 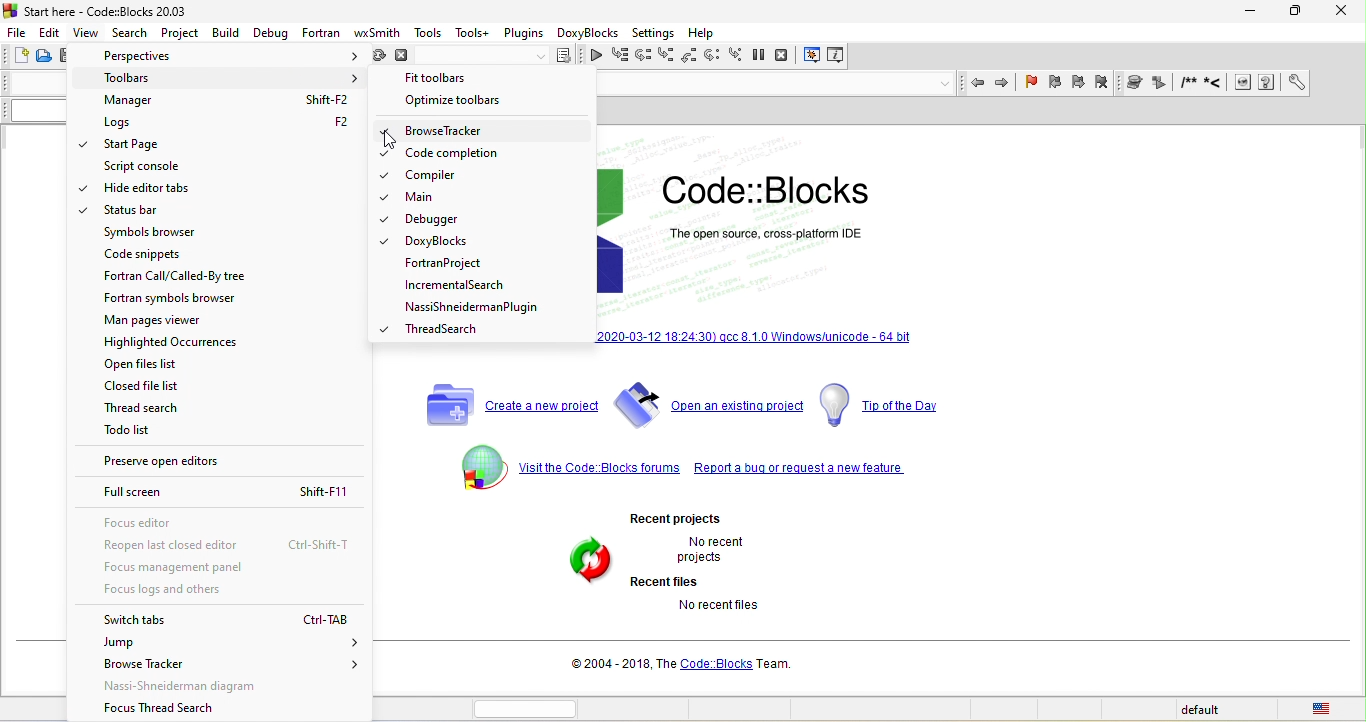 What do you see at coordinates (584, 562) in the screenshot?
I see `recent file and project` at bounding box center [584, 562].